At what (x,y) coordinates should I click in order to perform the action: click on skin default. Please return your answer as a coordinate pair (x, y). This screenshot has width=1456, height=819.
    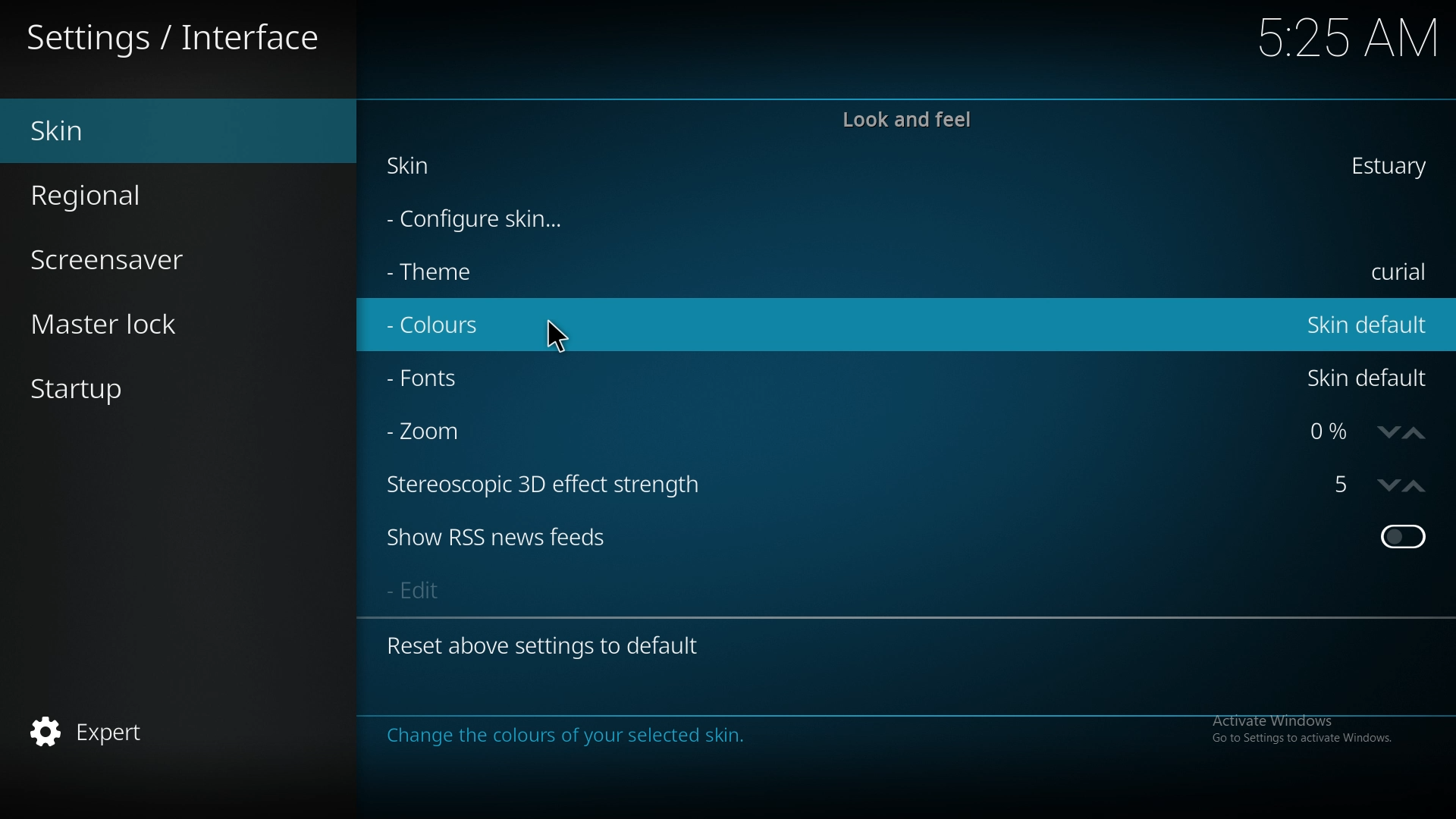
    Looking at the image, I should click on (1370, 378).